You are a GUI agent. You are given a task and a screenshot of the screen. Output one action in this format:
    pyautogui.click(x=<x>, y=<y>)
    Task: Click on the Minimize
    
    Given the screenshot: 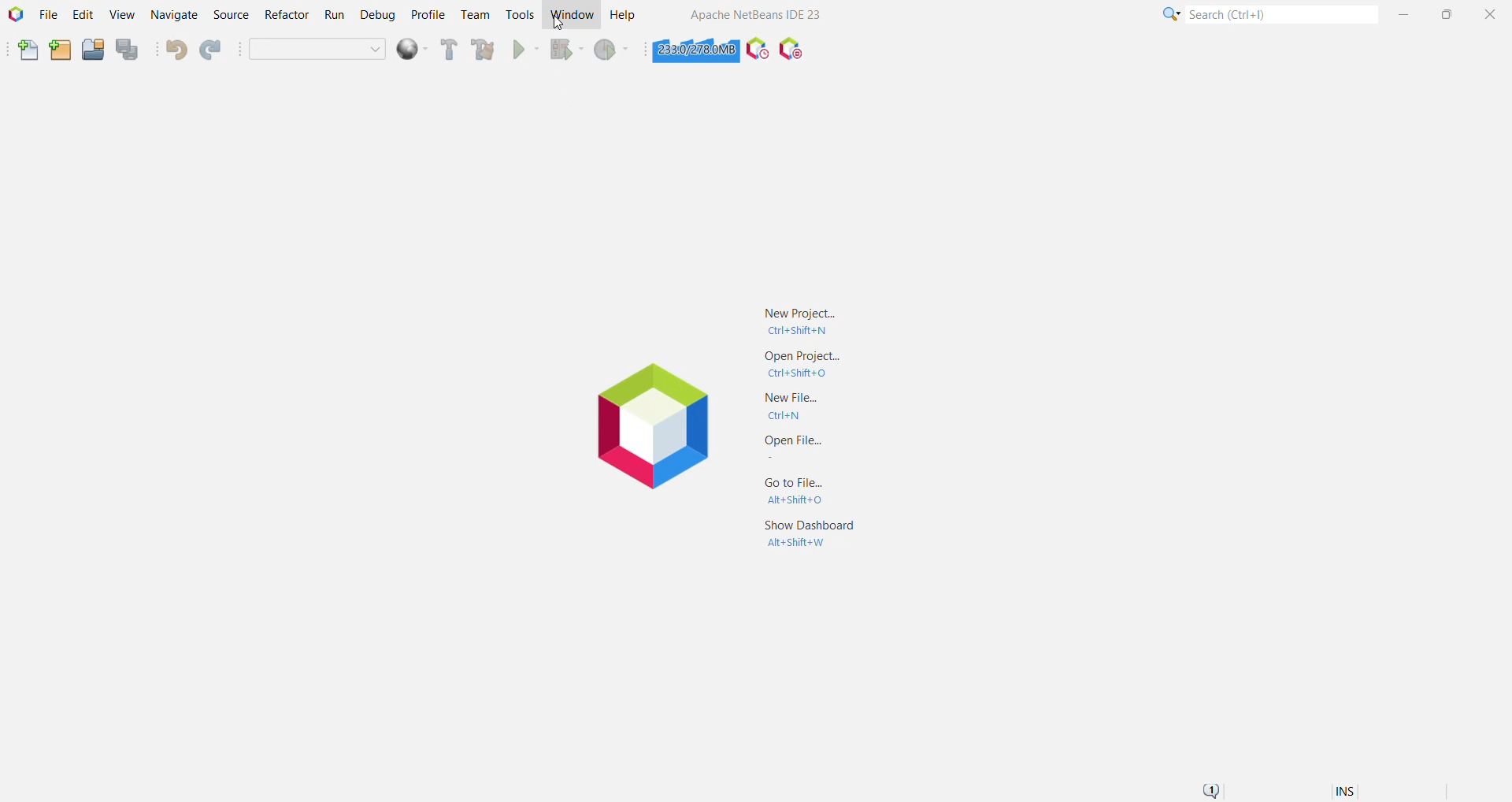 What is the action you would take?
    pyautogui.click(x=1405, y=16)
    